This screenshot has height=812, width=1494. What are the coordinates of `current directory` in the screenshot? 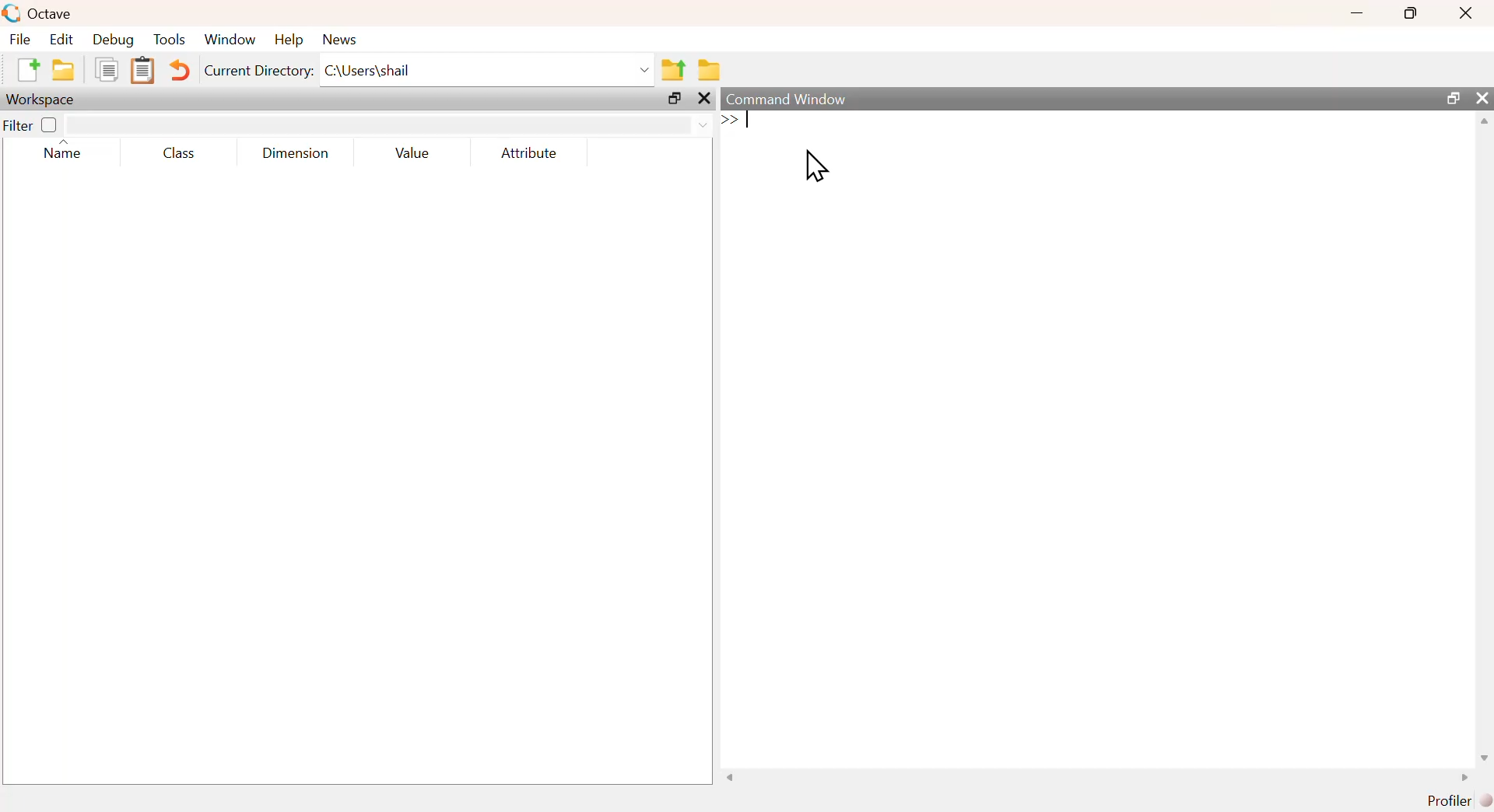 It's located at (258, 70).